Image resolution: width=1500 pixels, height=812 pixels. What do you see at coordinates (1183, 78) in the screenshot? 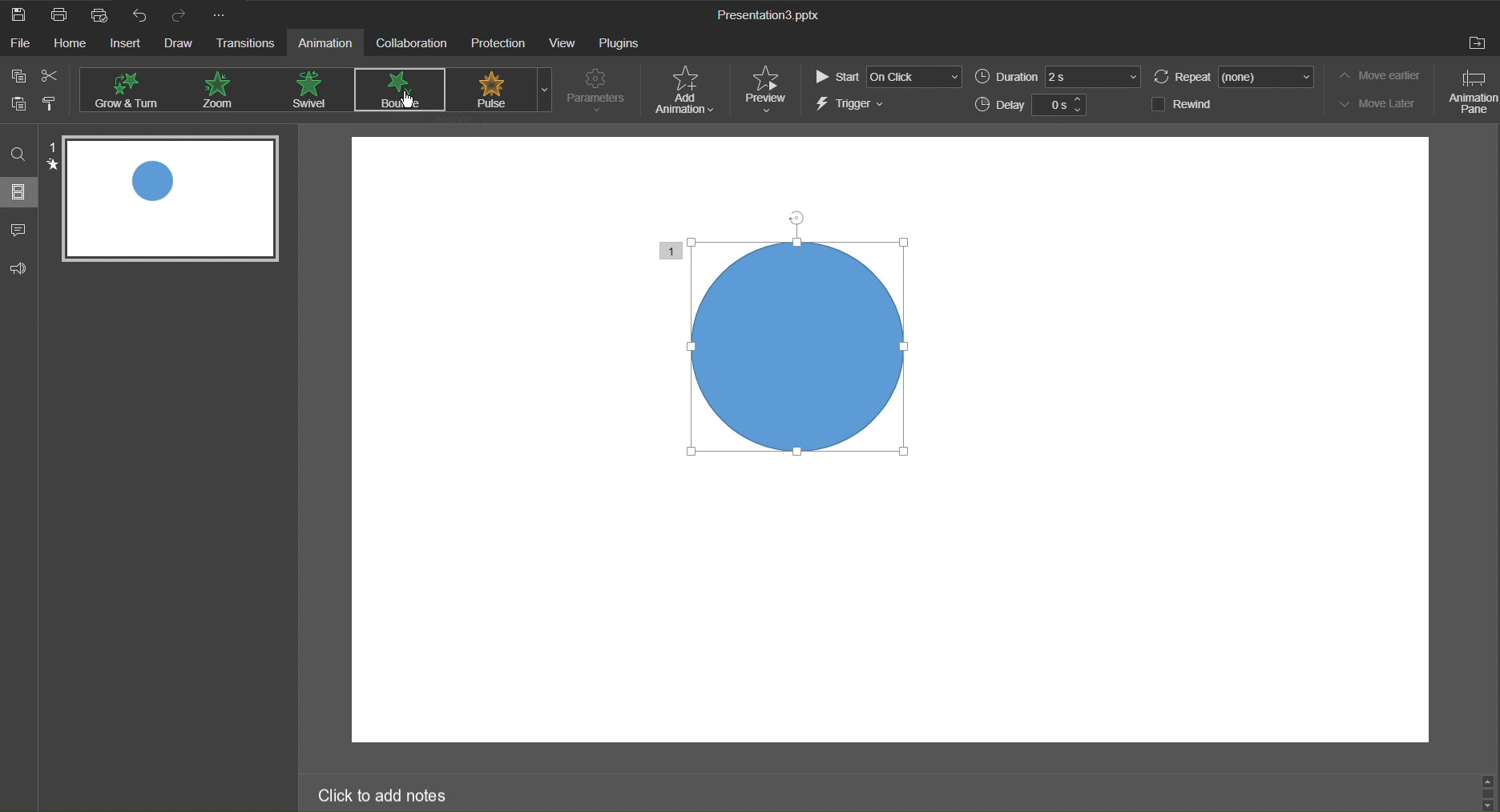
I see `Repeat:` at bounding box center [1183, 78].